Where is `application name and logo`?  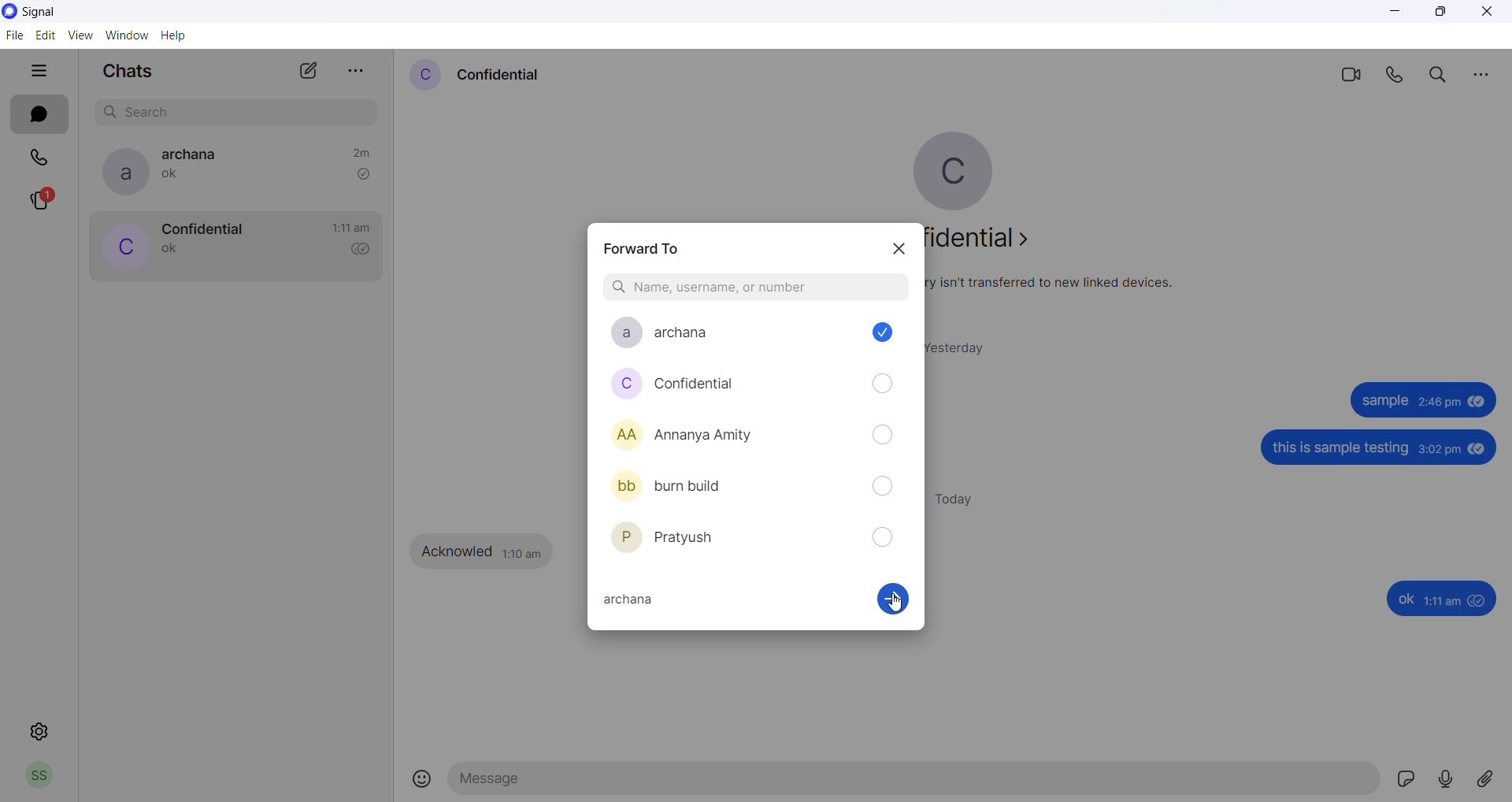 application name and logo is located at coordinates (54, 11).